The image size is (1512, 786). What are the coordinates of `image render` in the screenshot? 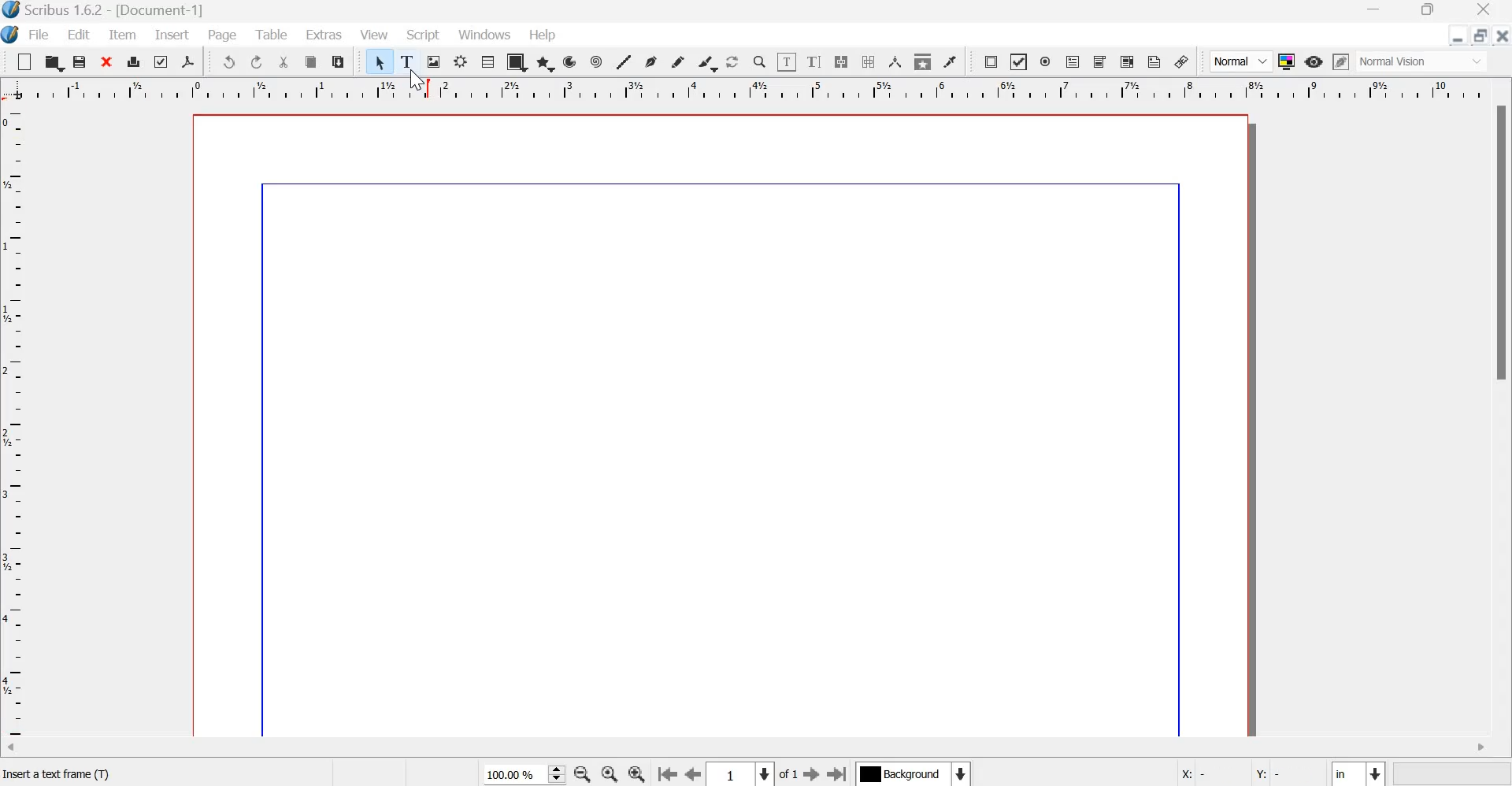 It's located at (435, 61).